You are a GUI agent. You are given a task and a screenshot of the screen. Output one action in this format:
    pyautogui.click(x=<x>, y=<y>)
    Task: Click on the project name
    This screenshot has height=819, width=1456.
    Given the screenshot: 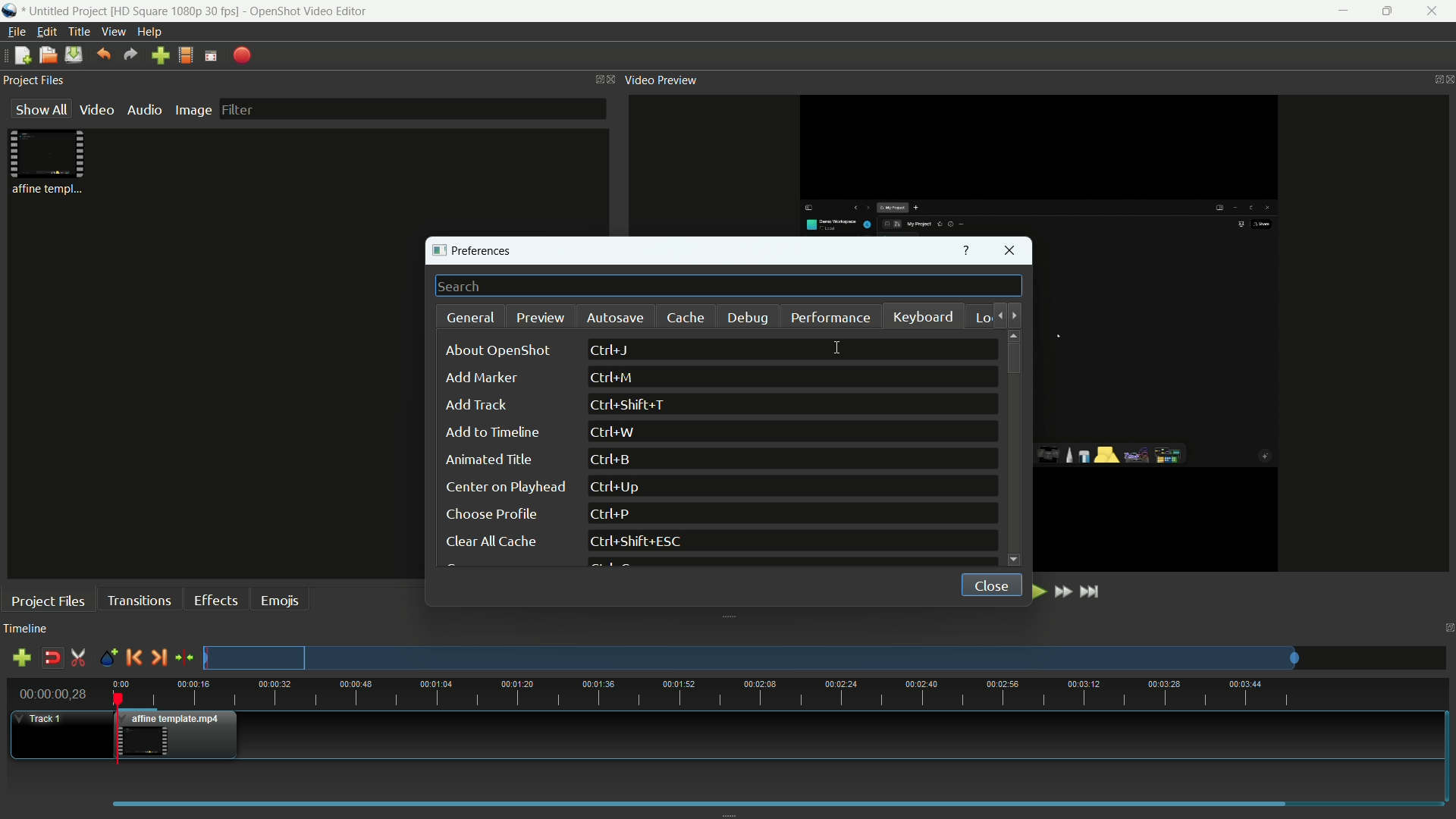 What is the action you would take?
    pyautogui.click(x=67, y=12)
    